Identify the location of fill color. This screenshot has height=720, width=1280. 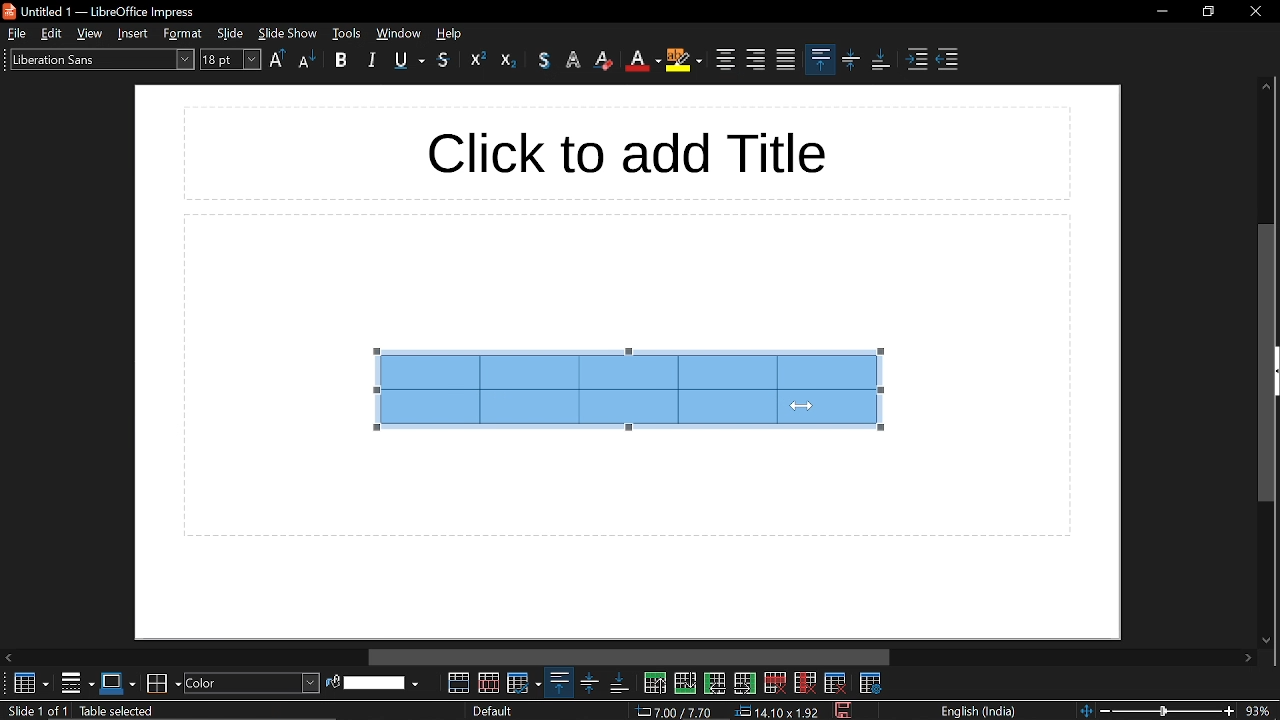
(333, 681).